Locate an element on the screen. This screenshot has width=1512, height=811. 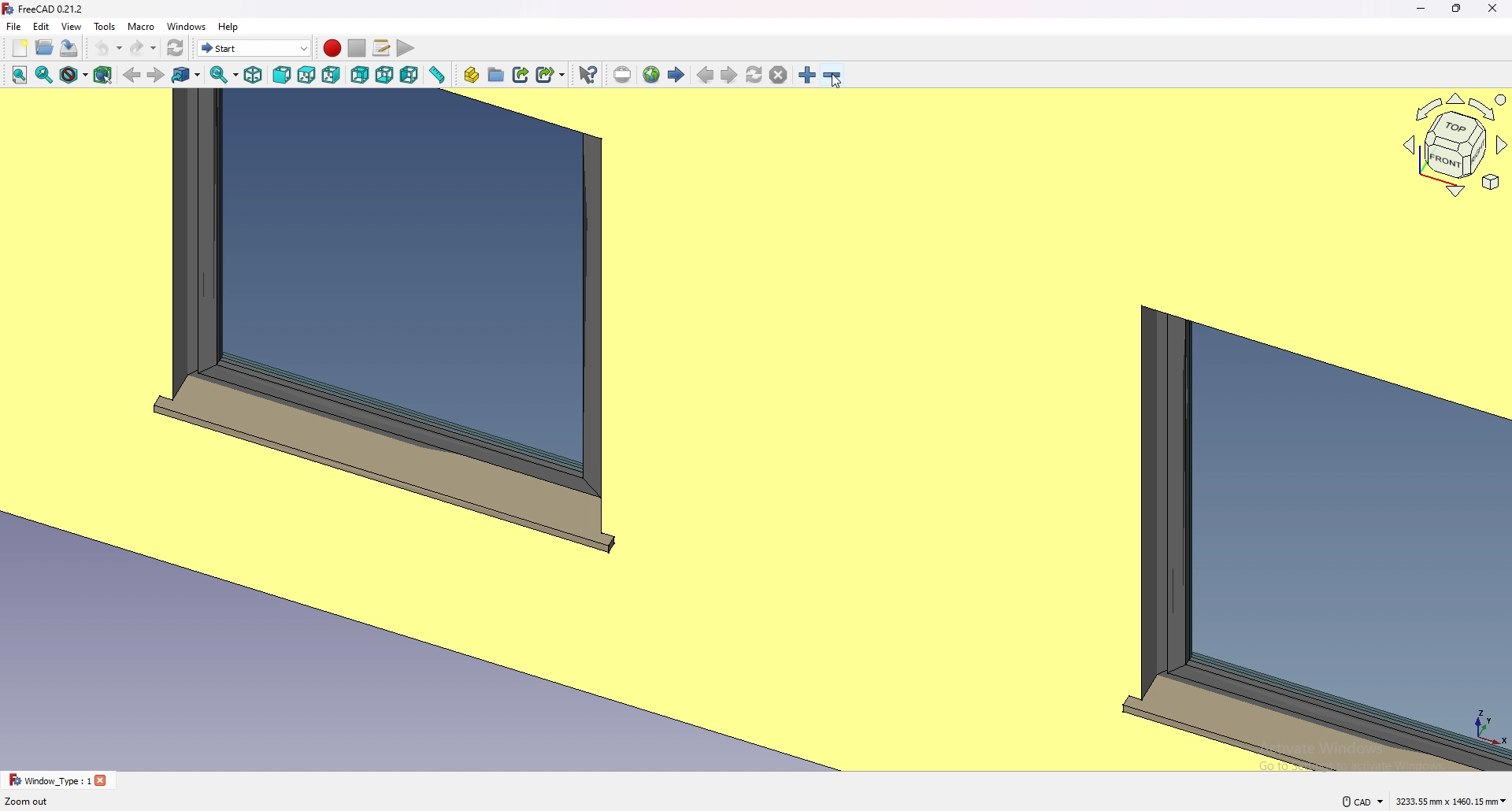
new is located at coordinates (20, 48).